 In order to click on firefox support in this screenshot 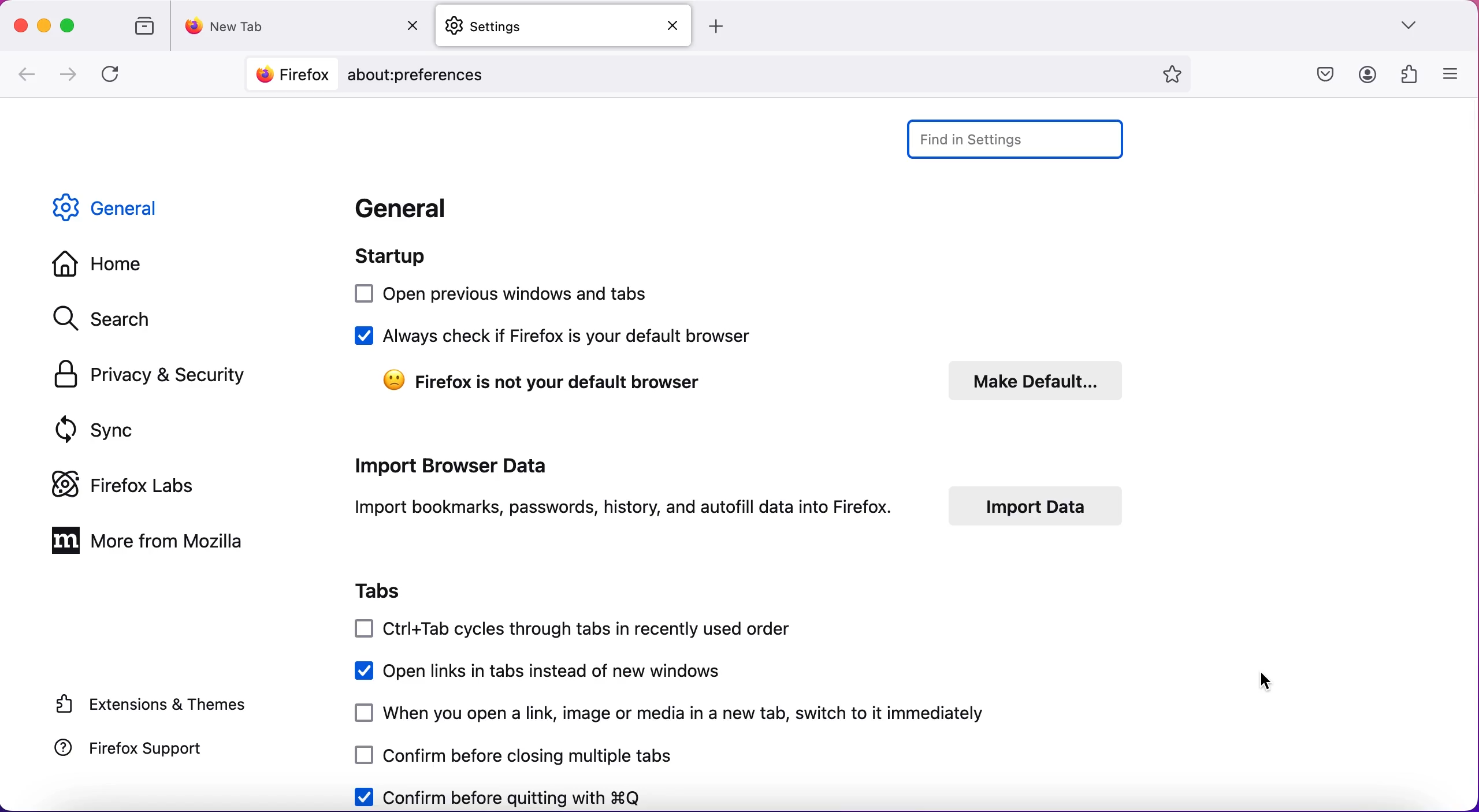, I will do `click(138, 747)`.